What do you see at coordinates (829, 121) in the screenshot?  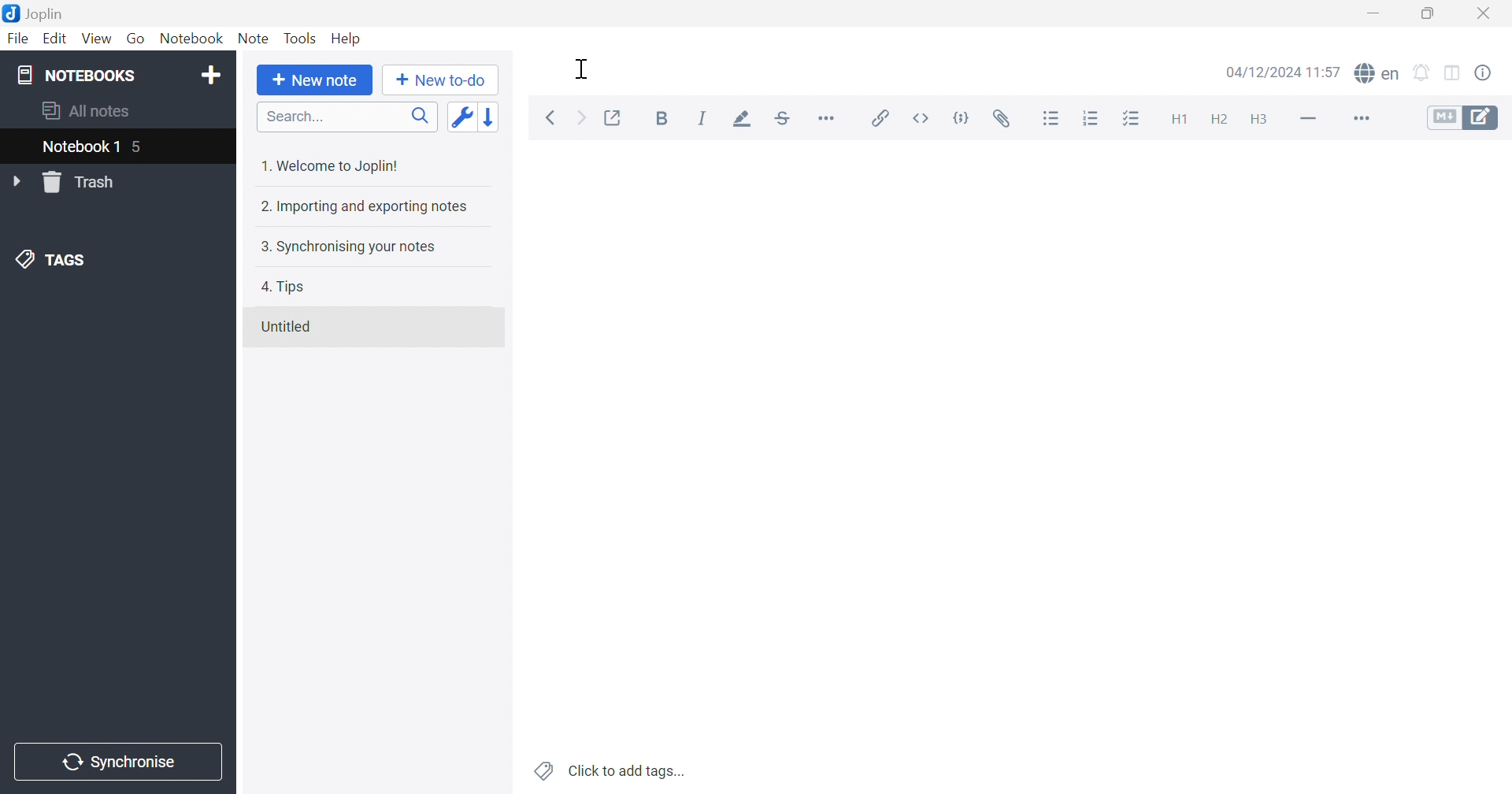 I see `Horizontal` at bounding box center [829, 121].